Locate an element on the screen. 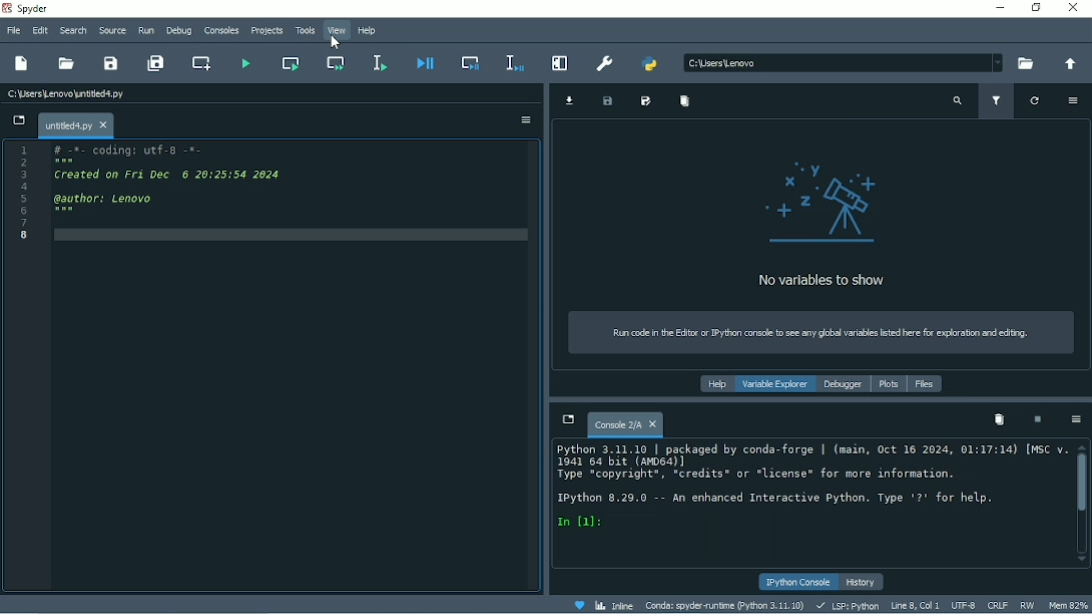  Debug is located at coordinates (179, 31).